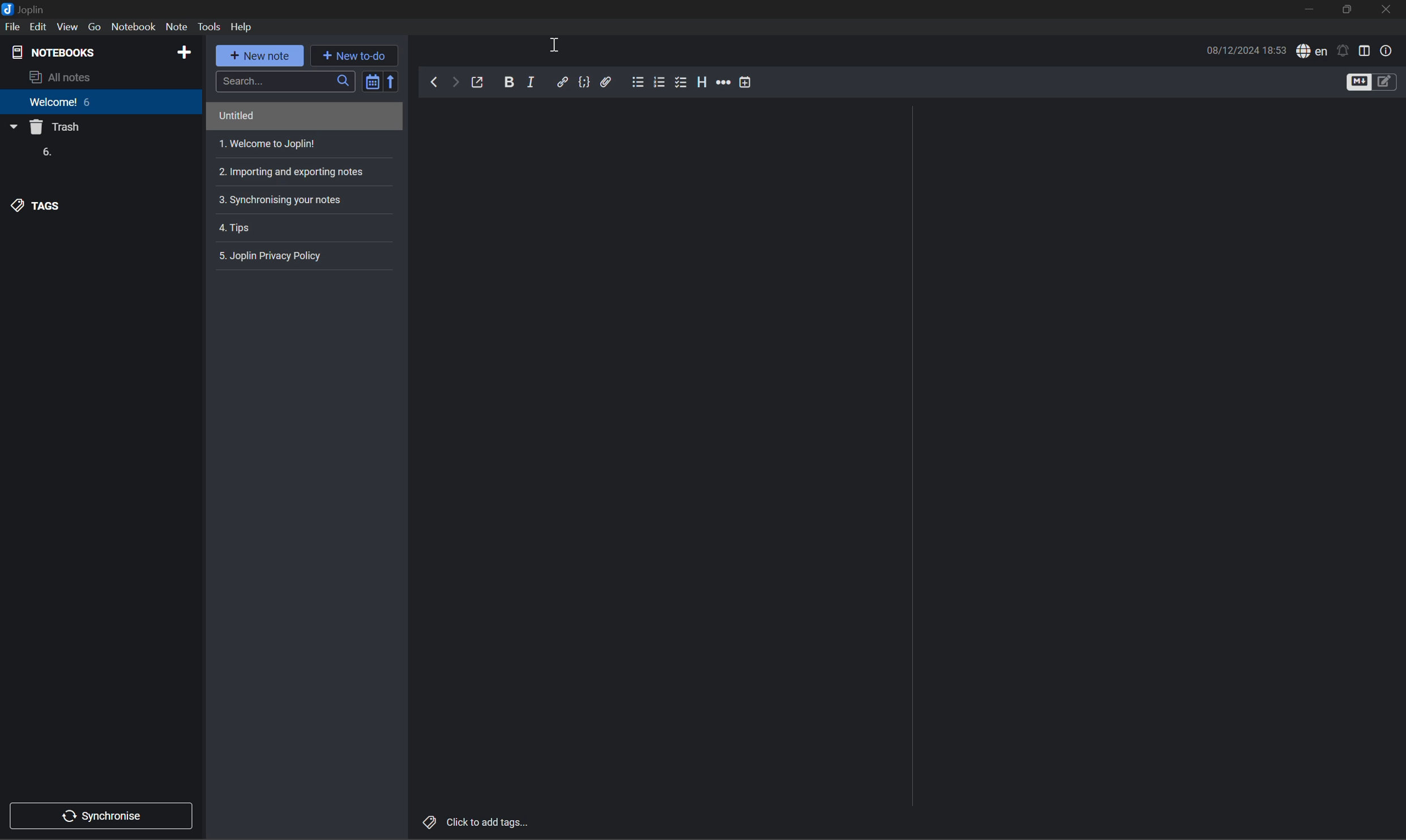 The height and width of the screenshot is (840, 1406). Describe the element at coordinates (452, 83) in the screenshot. I see `Forward` at that location.